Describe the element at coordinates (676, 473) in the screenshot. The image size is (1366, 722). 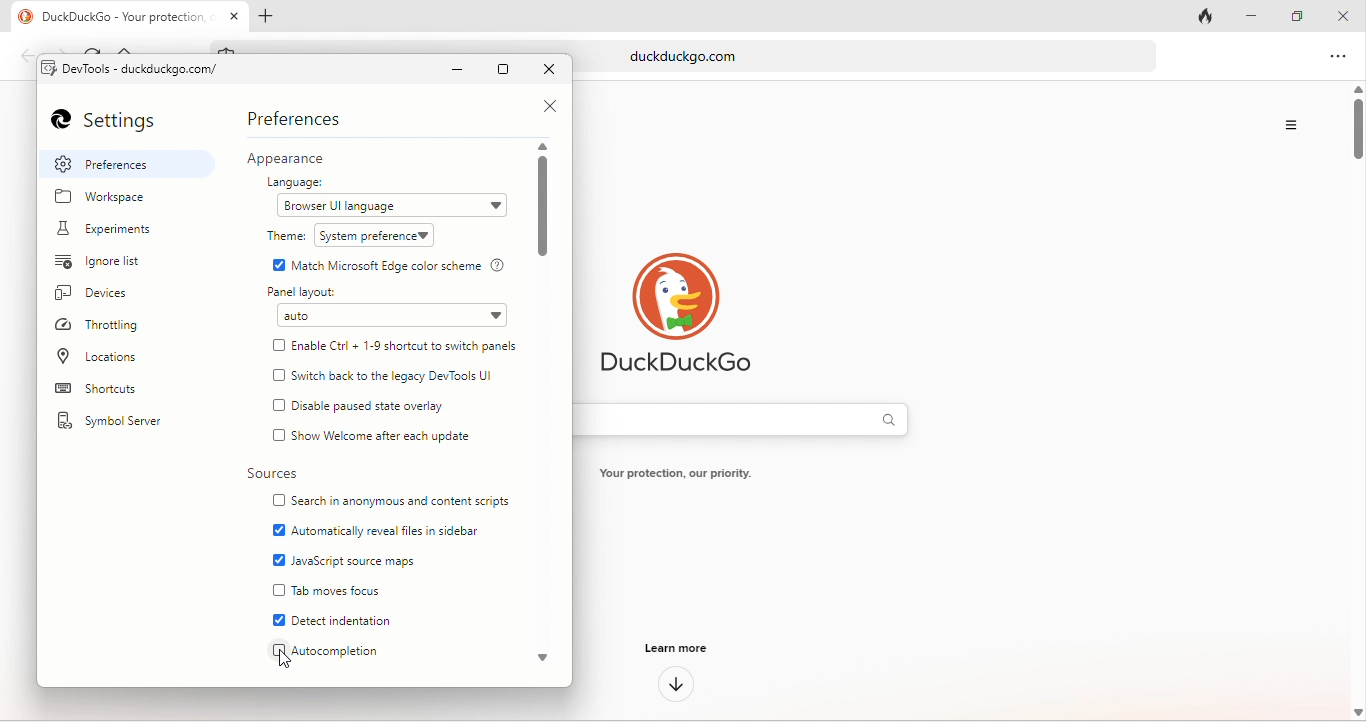
I see `Your protection, our priority` at that location.